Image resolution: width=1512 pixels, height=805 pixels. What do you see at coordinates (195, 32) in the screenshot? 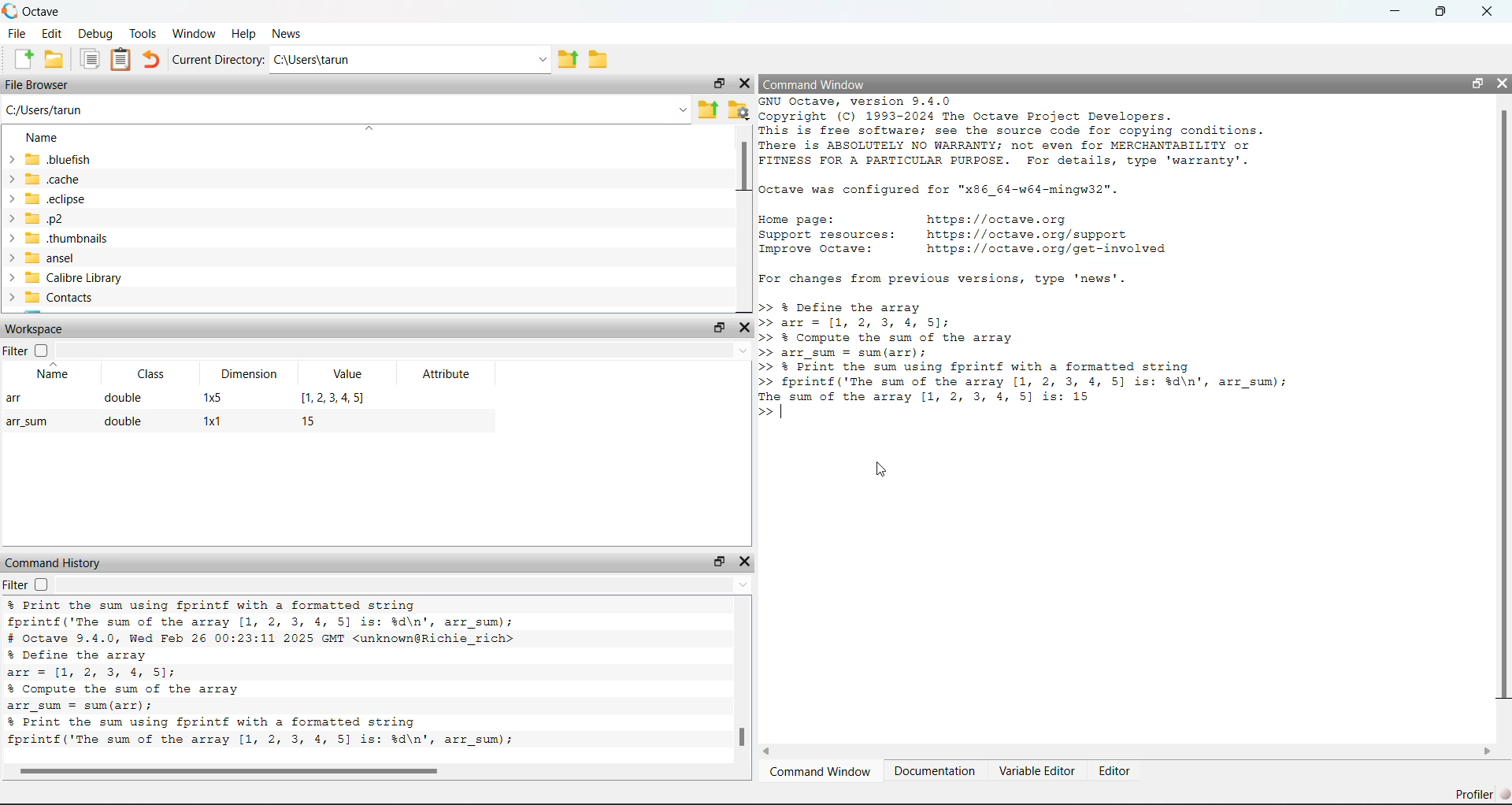
I see `‘Window` at bounding box center [195, 32].